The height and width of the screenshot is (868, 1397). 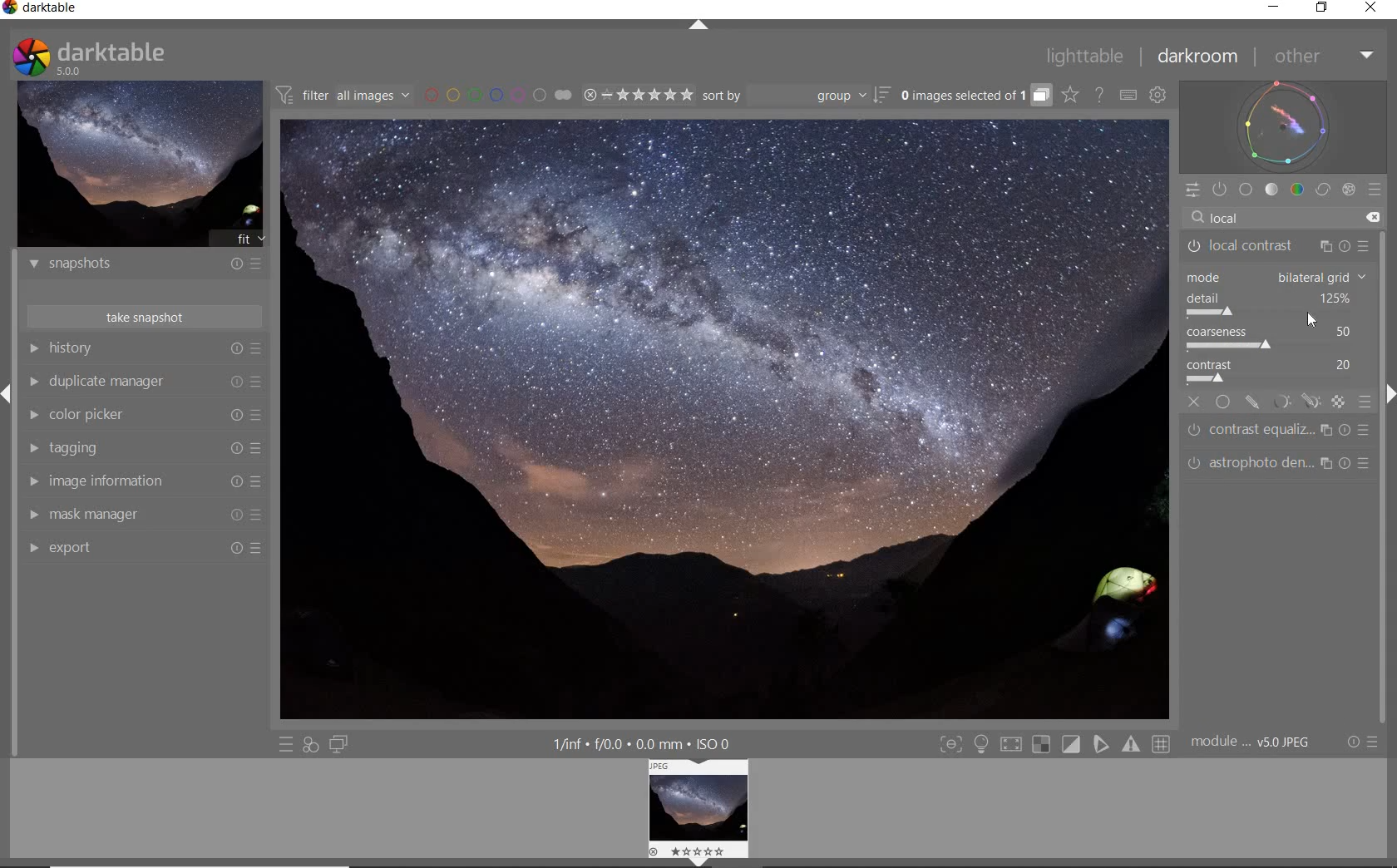 I want to click on reset parameters, so click(x=1346, y=430).